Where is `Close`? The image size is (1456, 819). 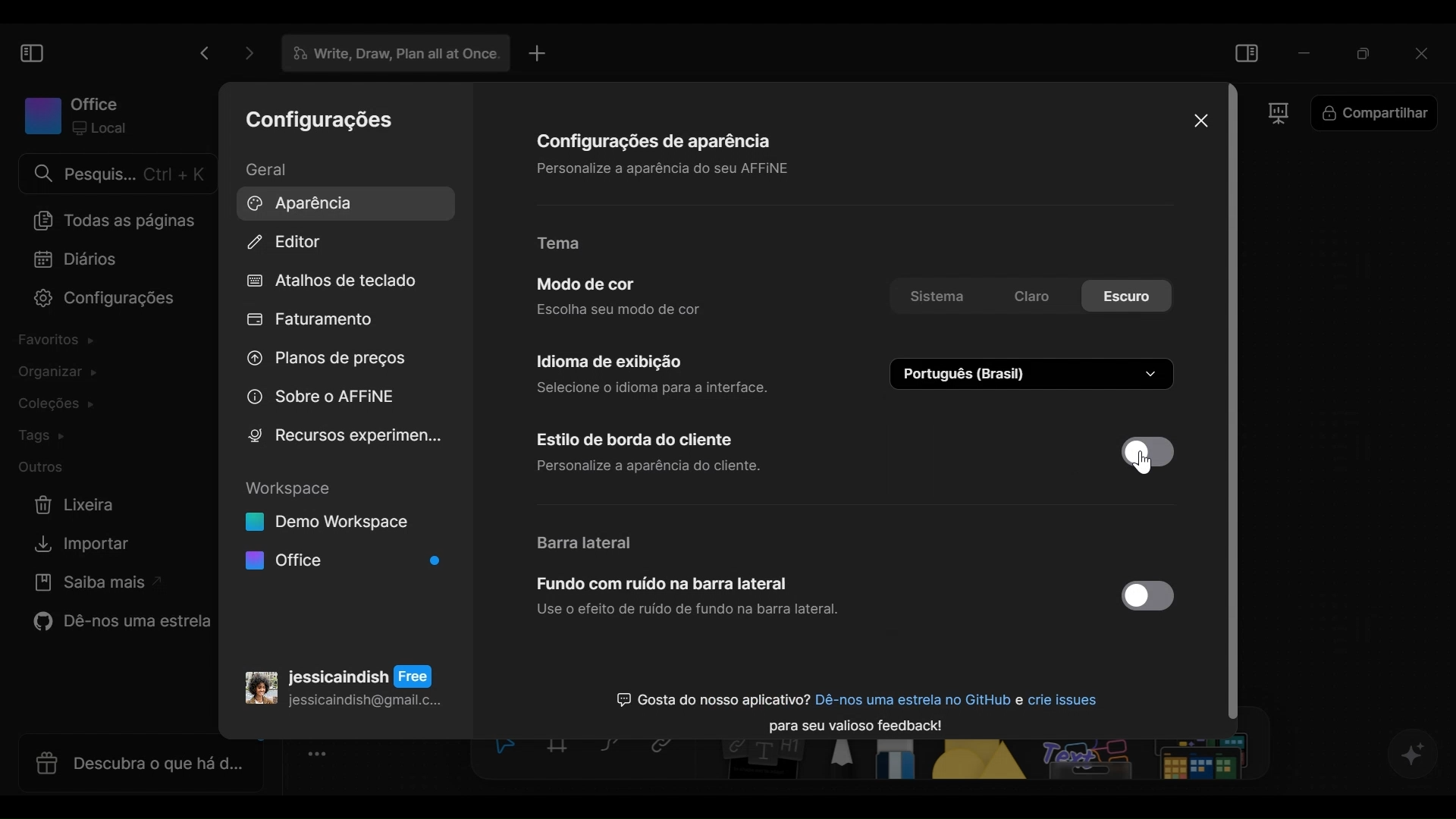
Close is located at coordinates (1425, 51).